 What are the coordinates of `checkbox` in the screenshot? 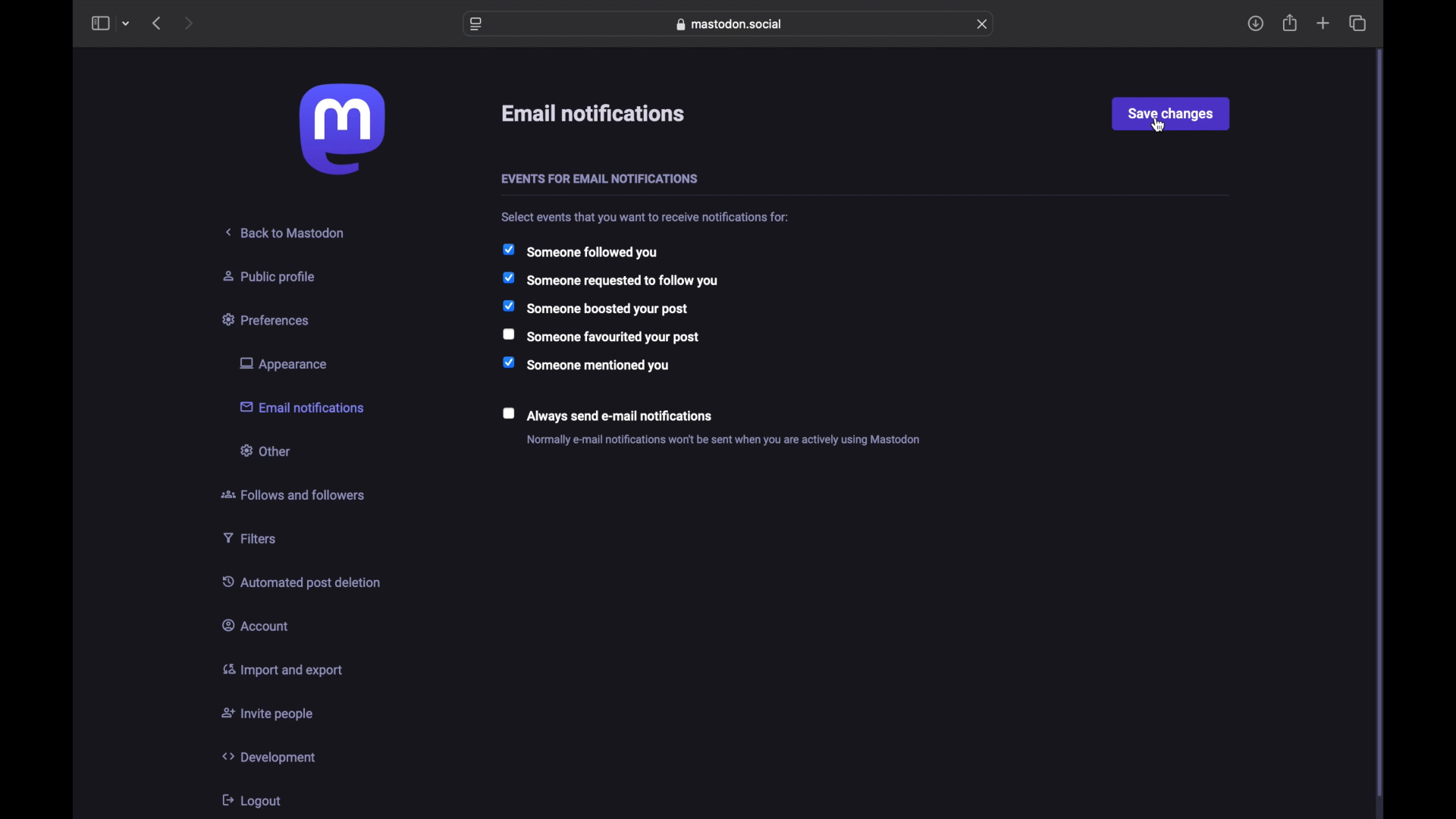 It's located at (579, 251).